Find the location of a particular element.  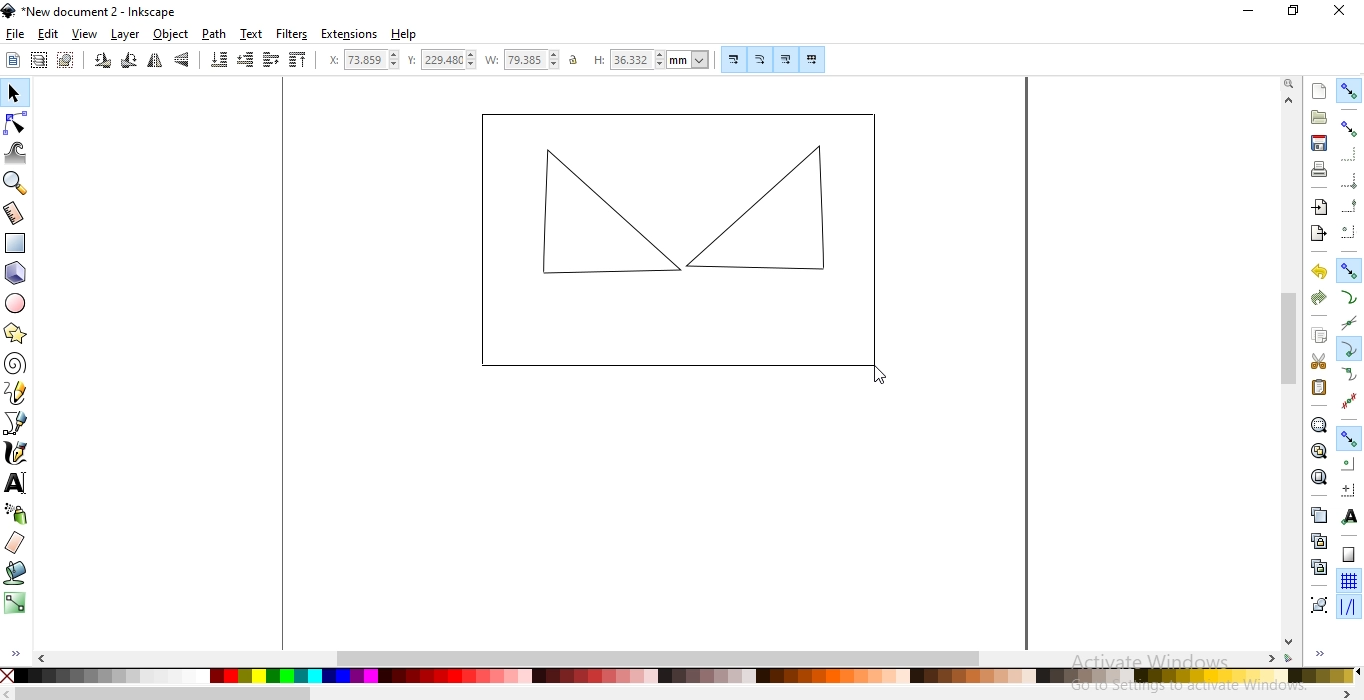

import a bitmap is located at coordinates (1319, 207).